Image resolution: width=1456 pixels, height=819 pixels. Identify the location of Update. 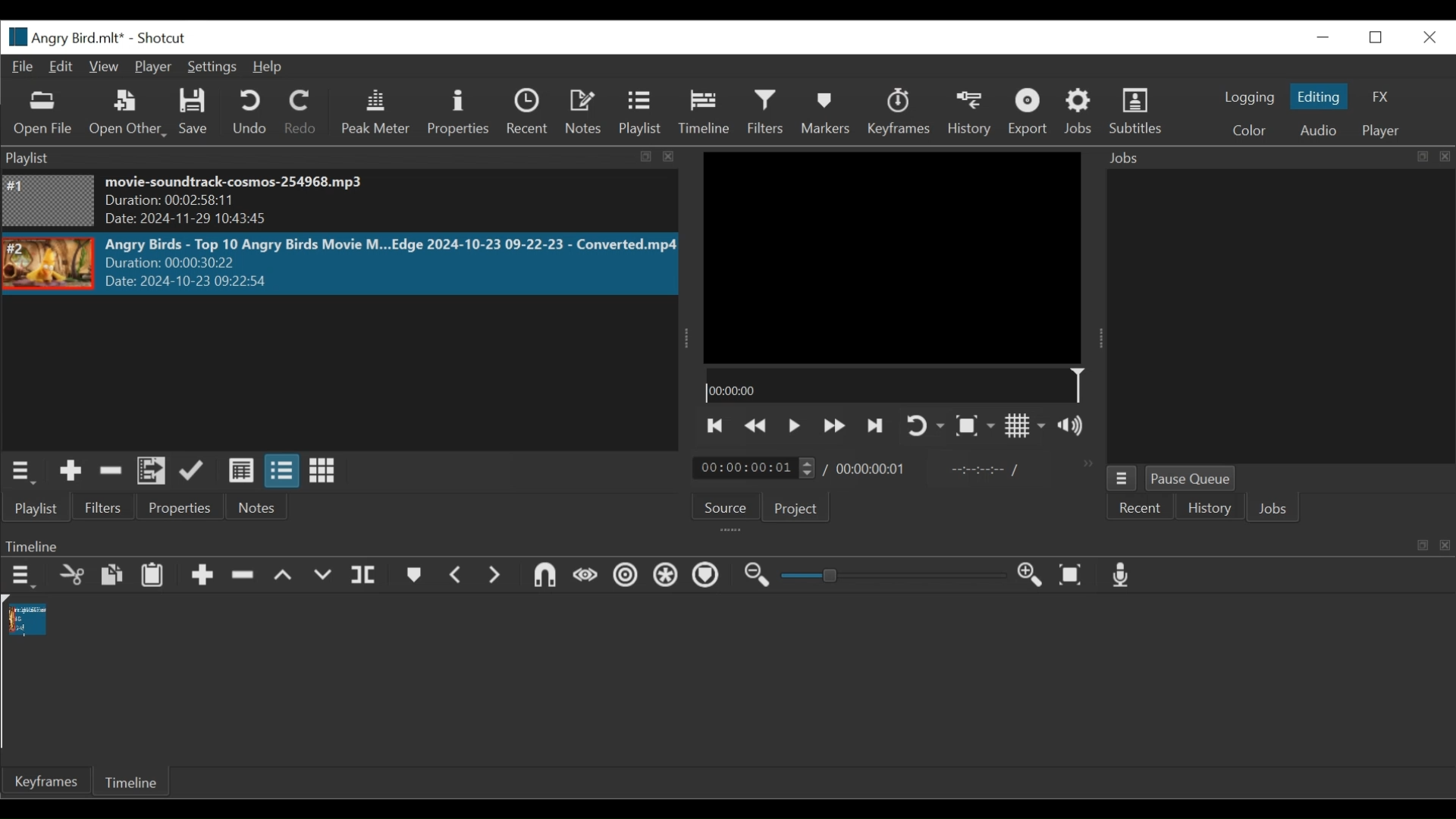
(196, 471).